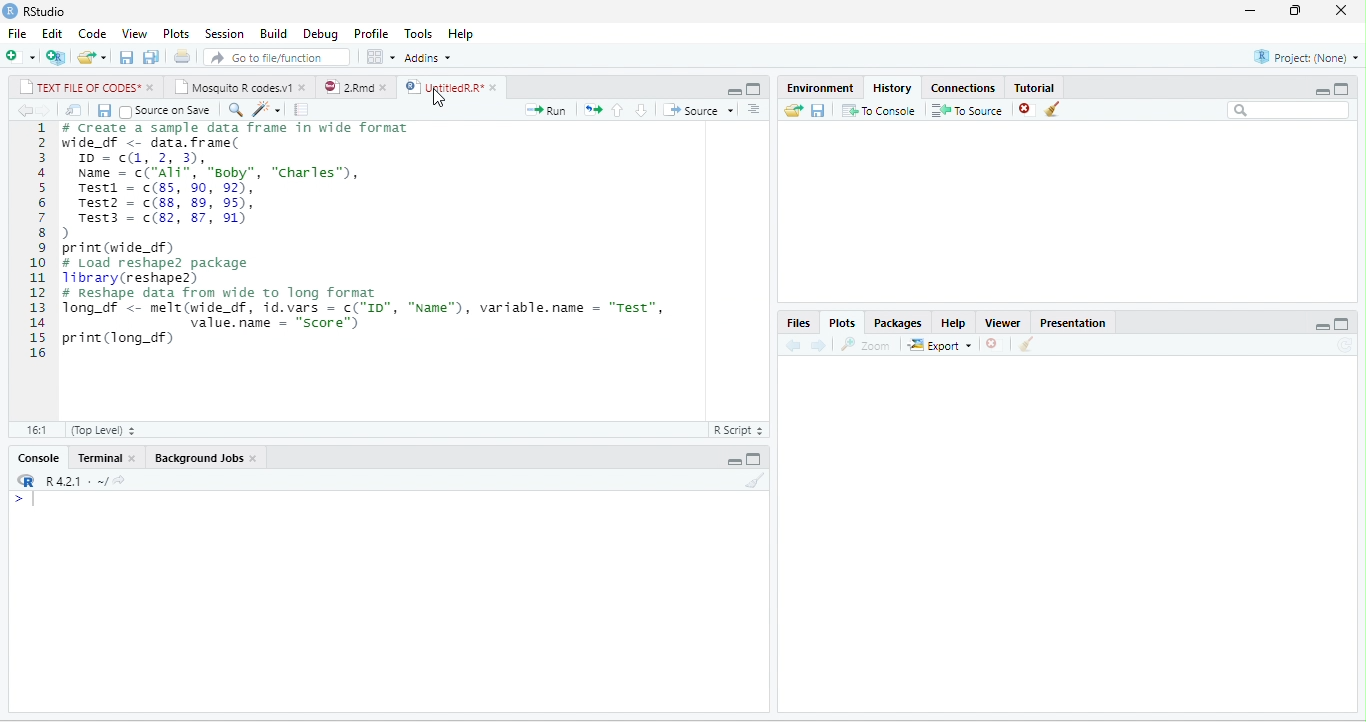 Image resolution: width=1366 pixels, height=722 pixels. I want to click on search, so click(235, 110).